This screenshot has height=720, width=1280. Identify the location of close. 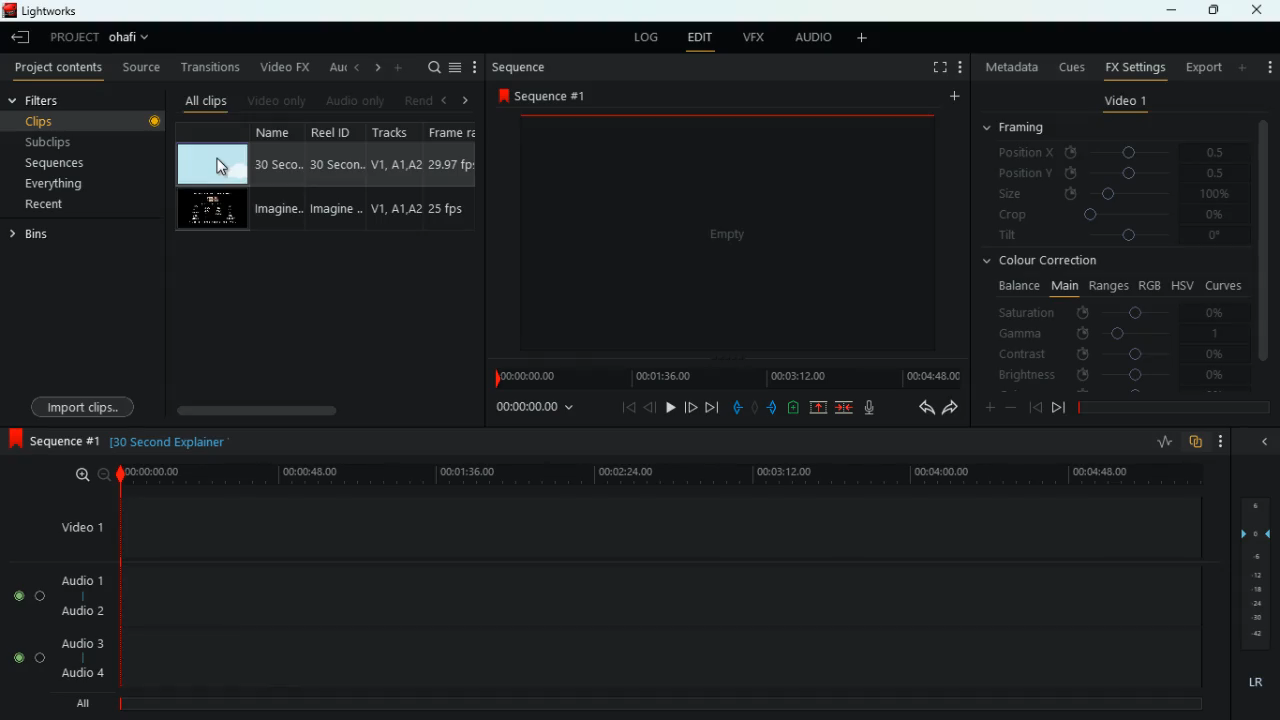
(1259, 10).